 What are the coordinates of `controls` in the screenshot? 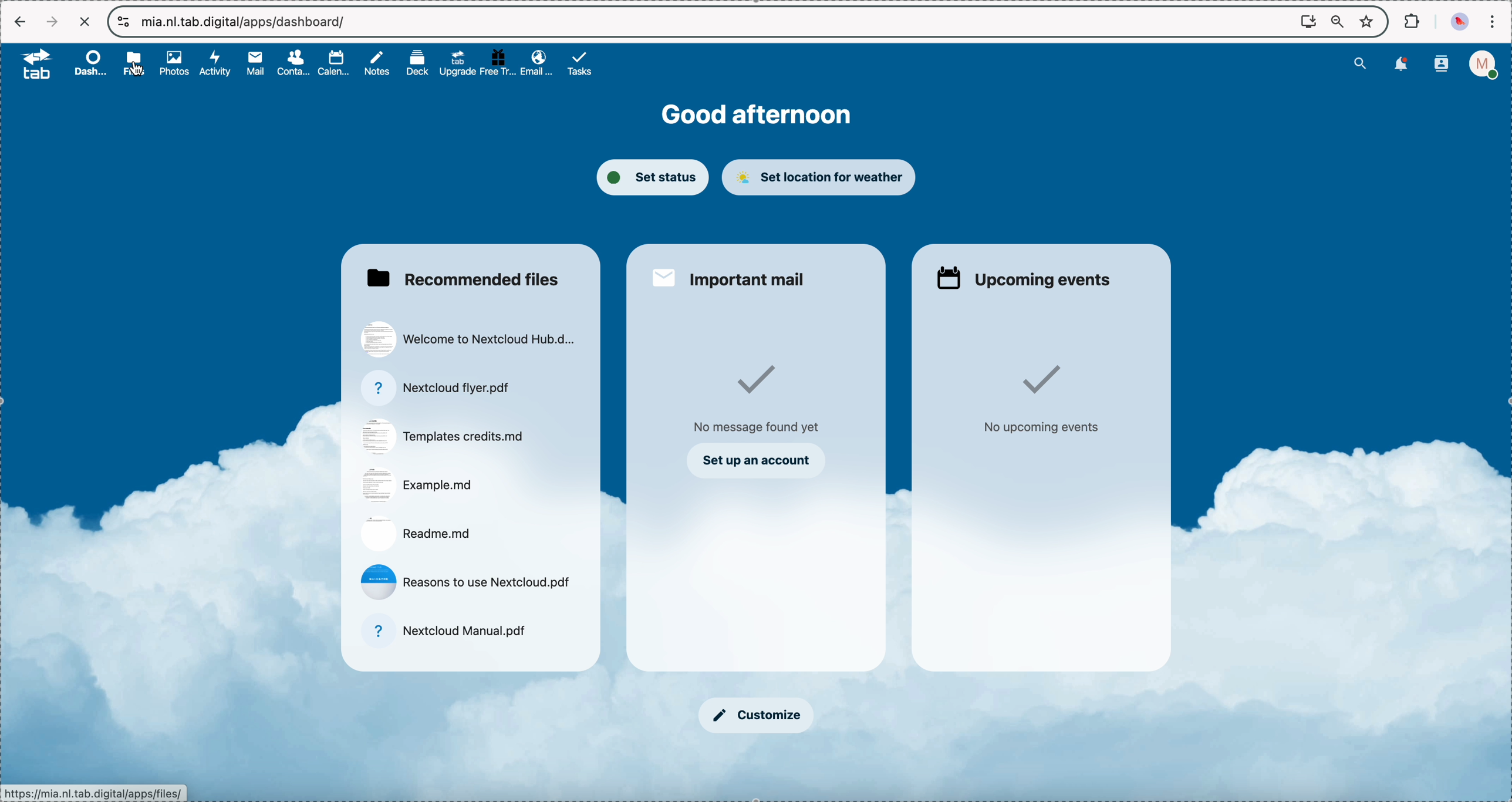 It's located at (124, 22).